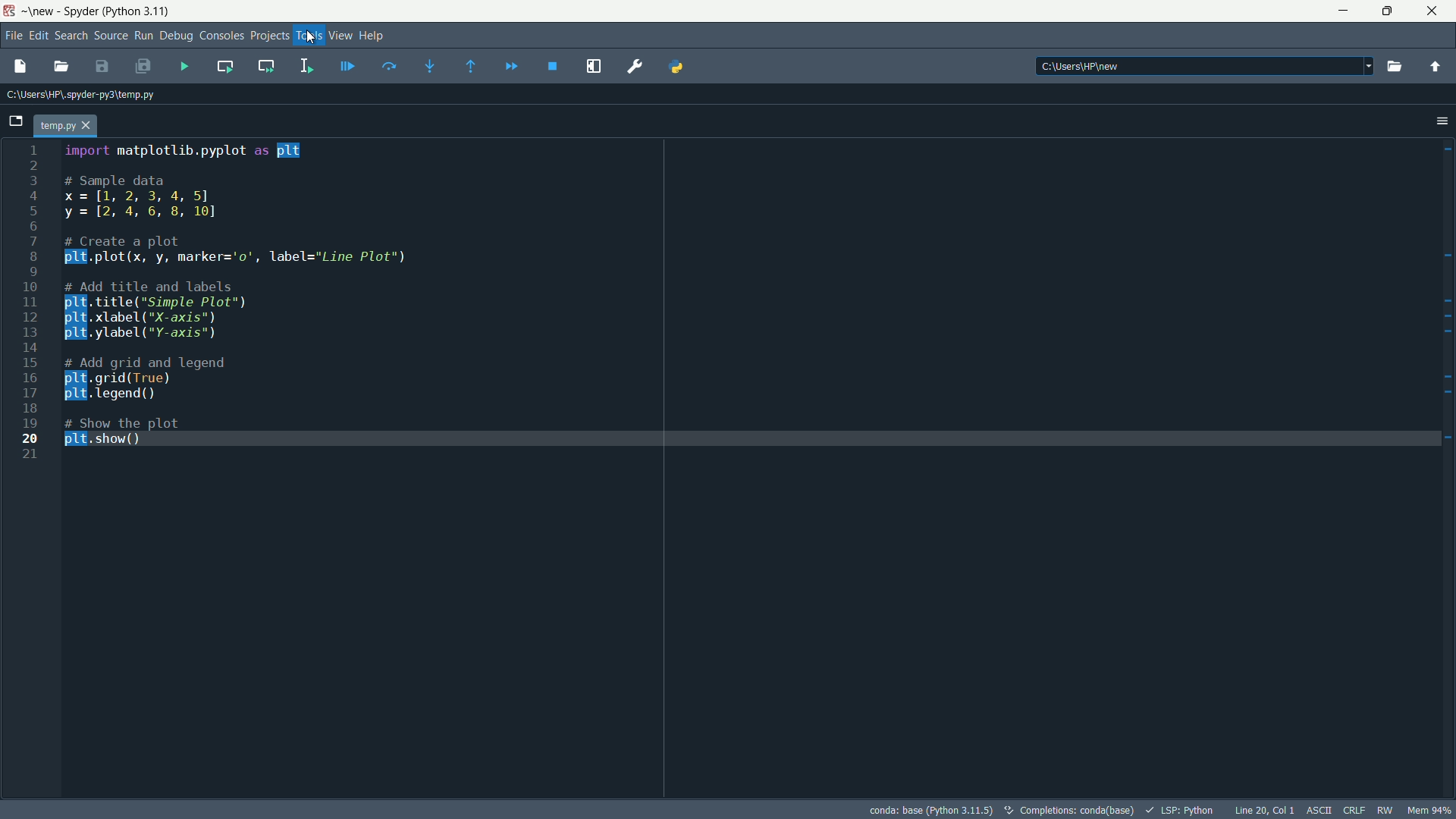 The height and width of the screenshot is (819, 1456). I want to click on close, so click(89, 125).